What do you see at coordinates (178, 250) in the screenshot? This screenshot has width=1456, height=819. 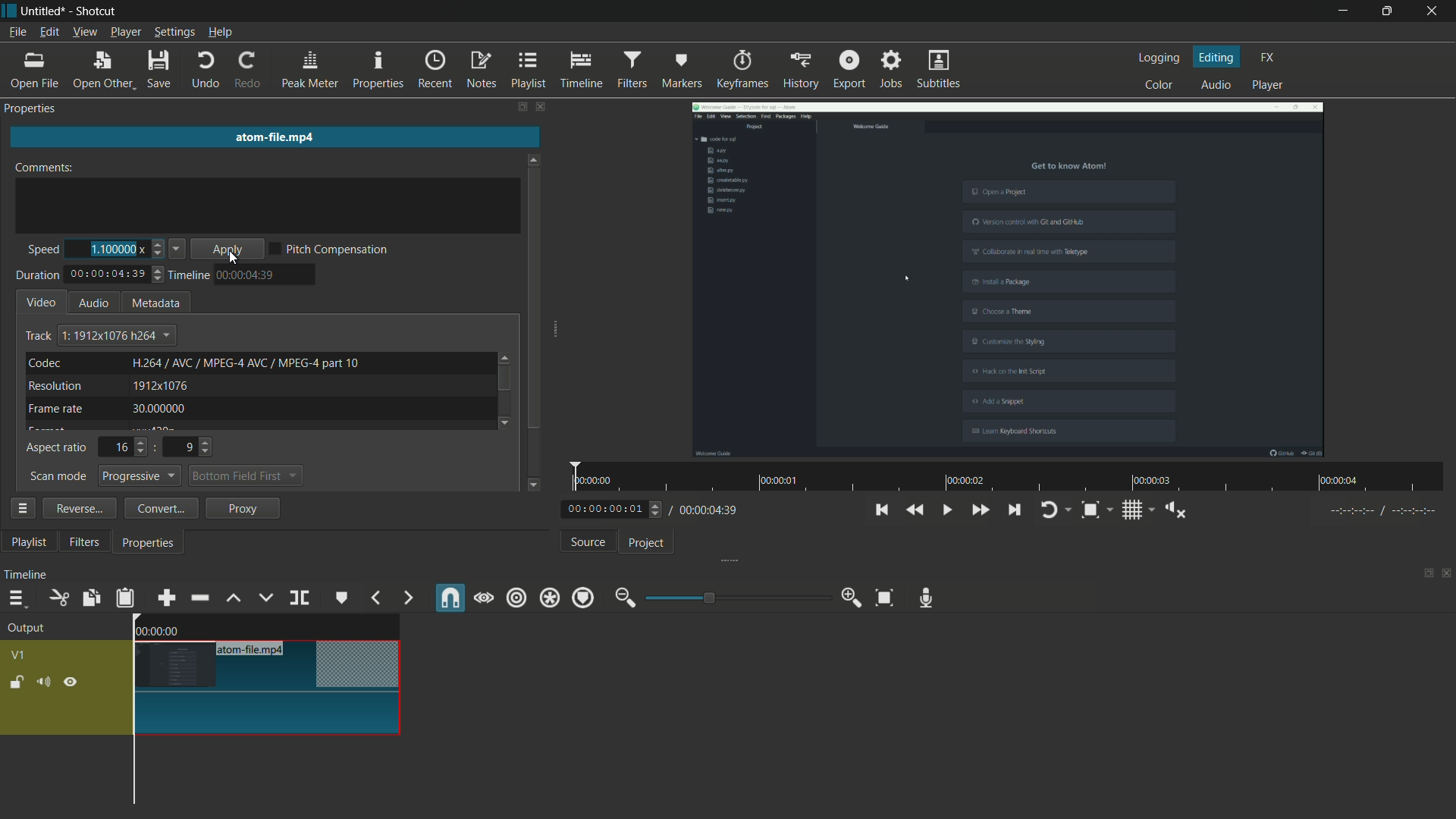 I see `decrease` at bounding box center [178, 250].